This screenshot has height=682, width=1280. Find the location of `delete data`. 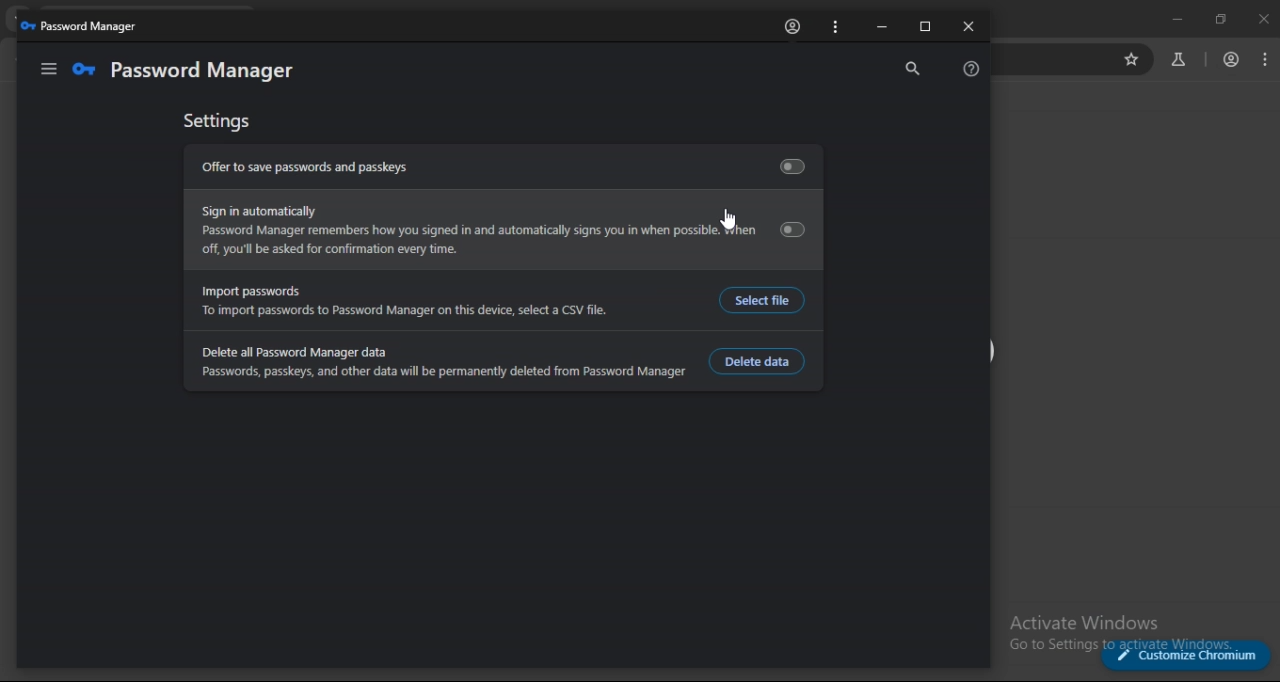

delete data is located at coordinates (761, 361).